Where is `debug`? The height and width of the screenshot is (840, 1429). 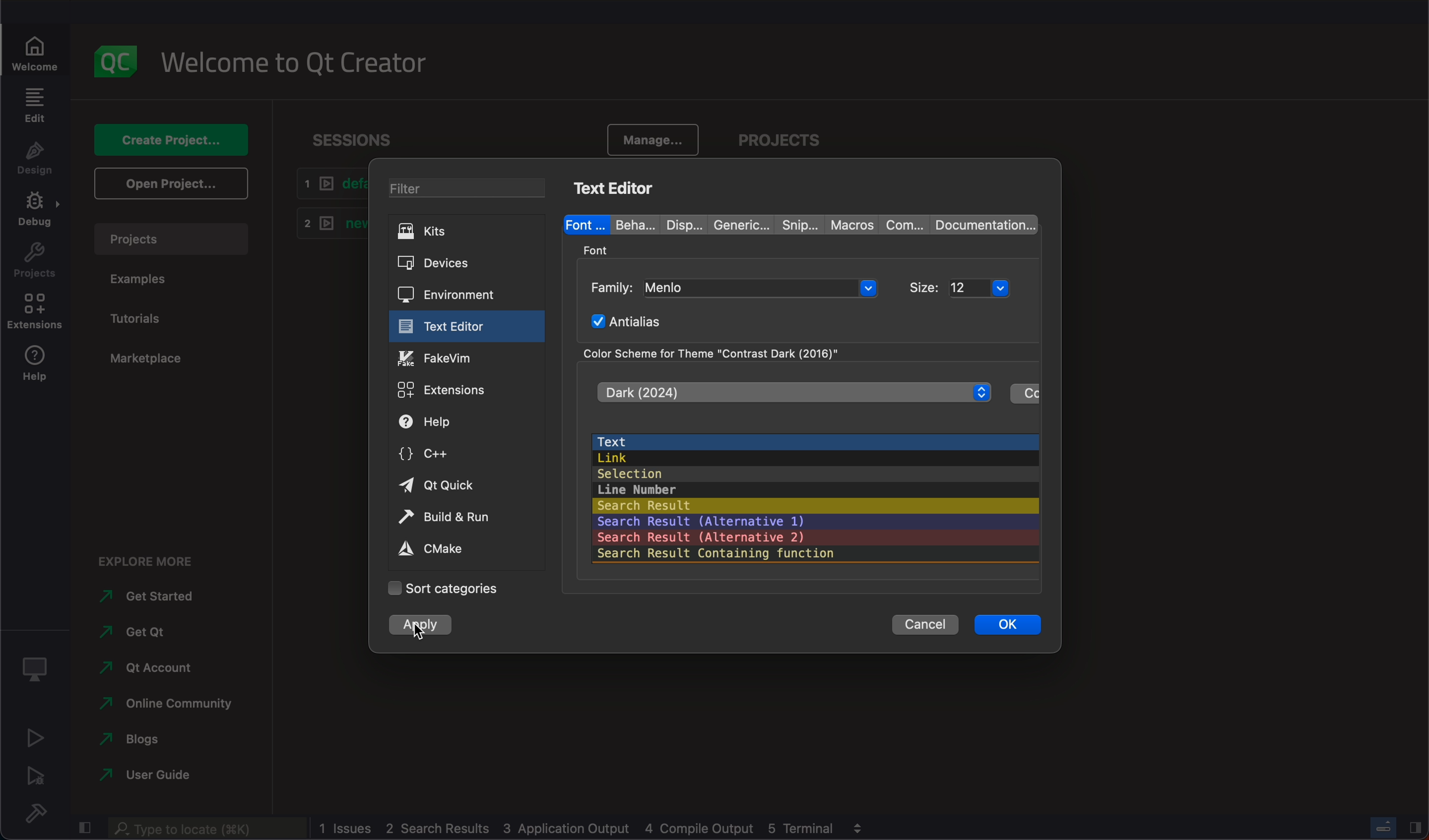 debug is located at coordinates (37, 670).